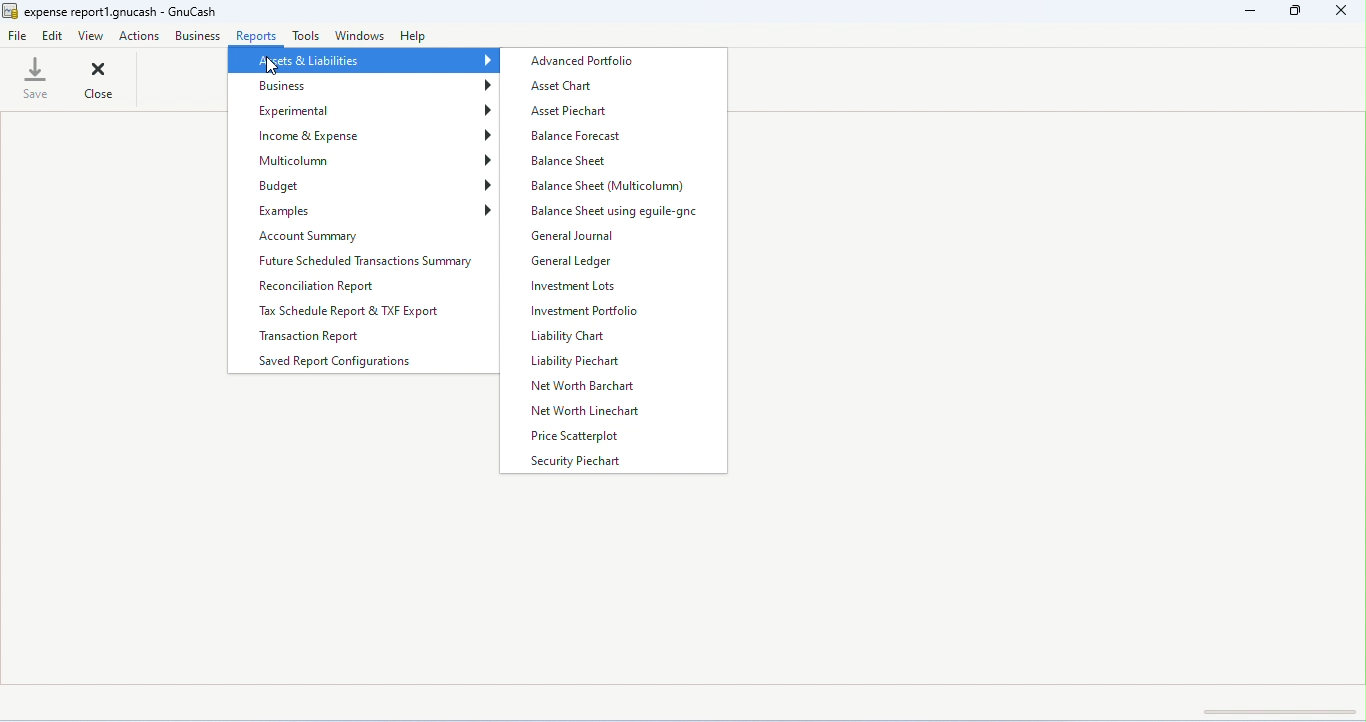  Describe the element at coordinates (334, 363) in the screenshot. I see `saved report configurations` at that location.